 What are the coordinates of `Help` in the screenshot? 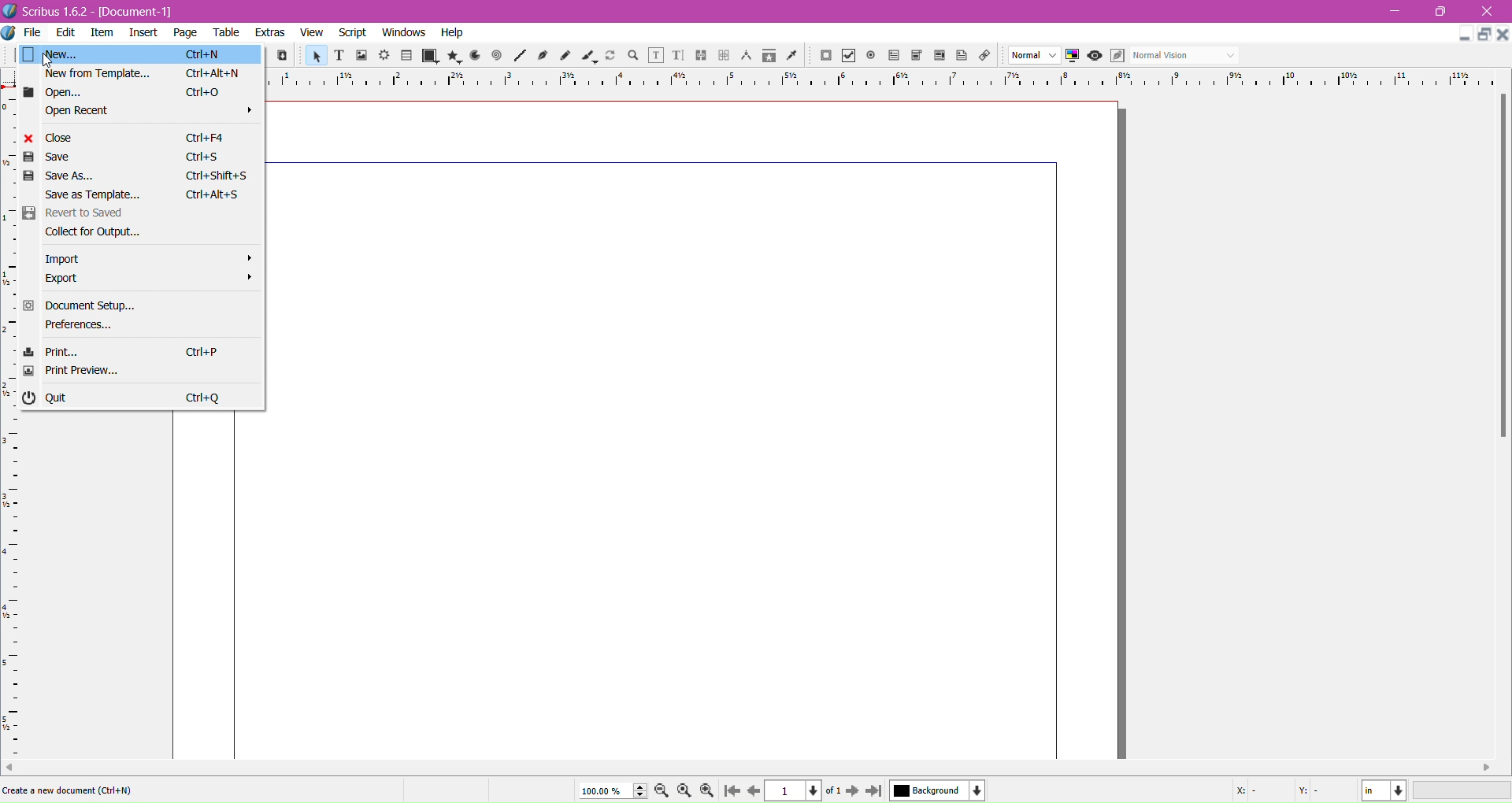 It's located at (455, 33).